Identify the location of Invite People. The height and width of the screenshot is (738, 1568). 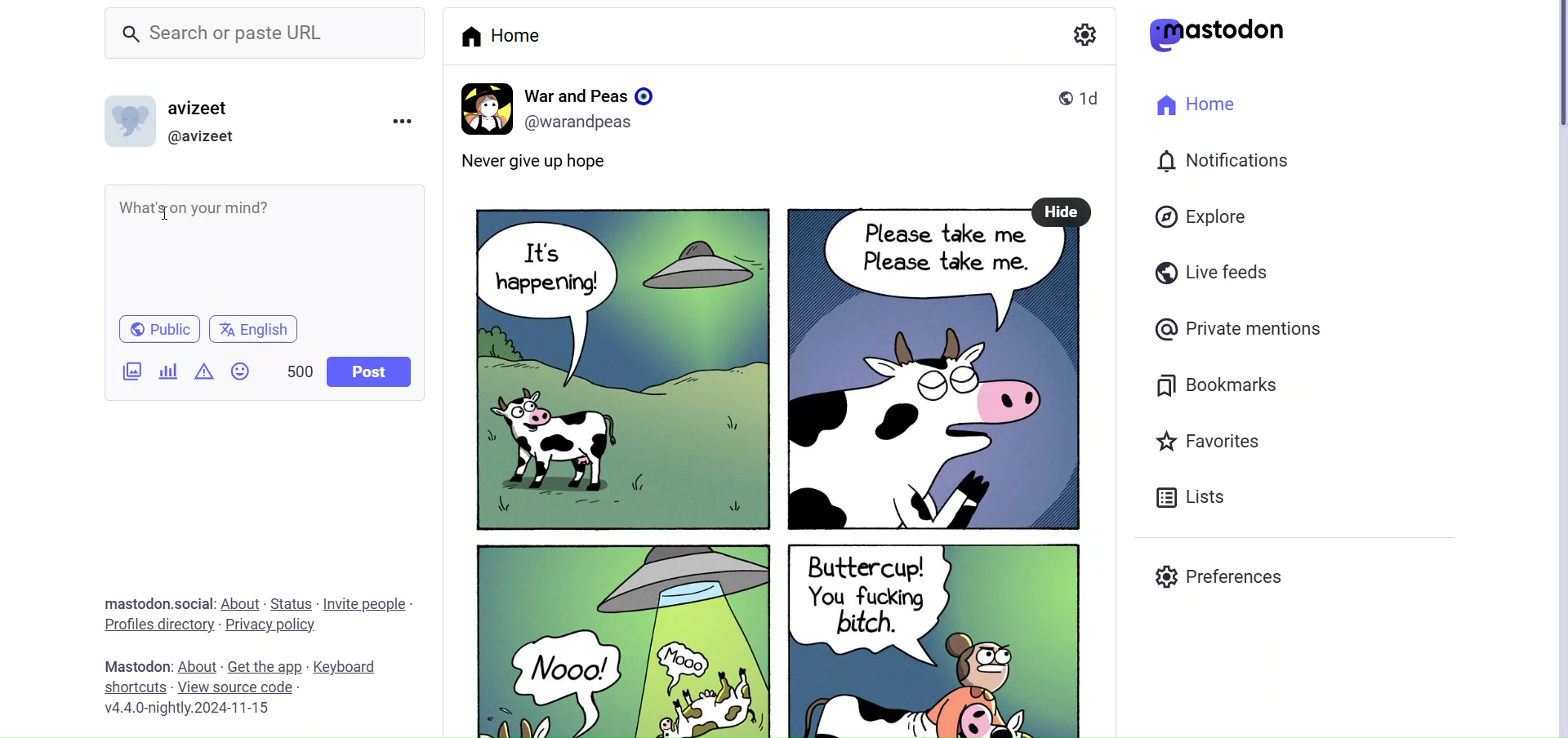
(370, 603).